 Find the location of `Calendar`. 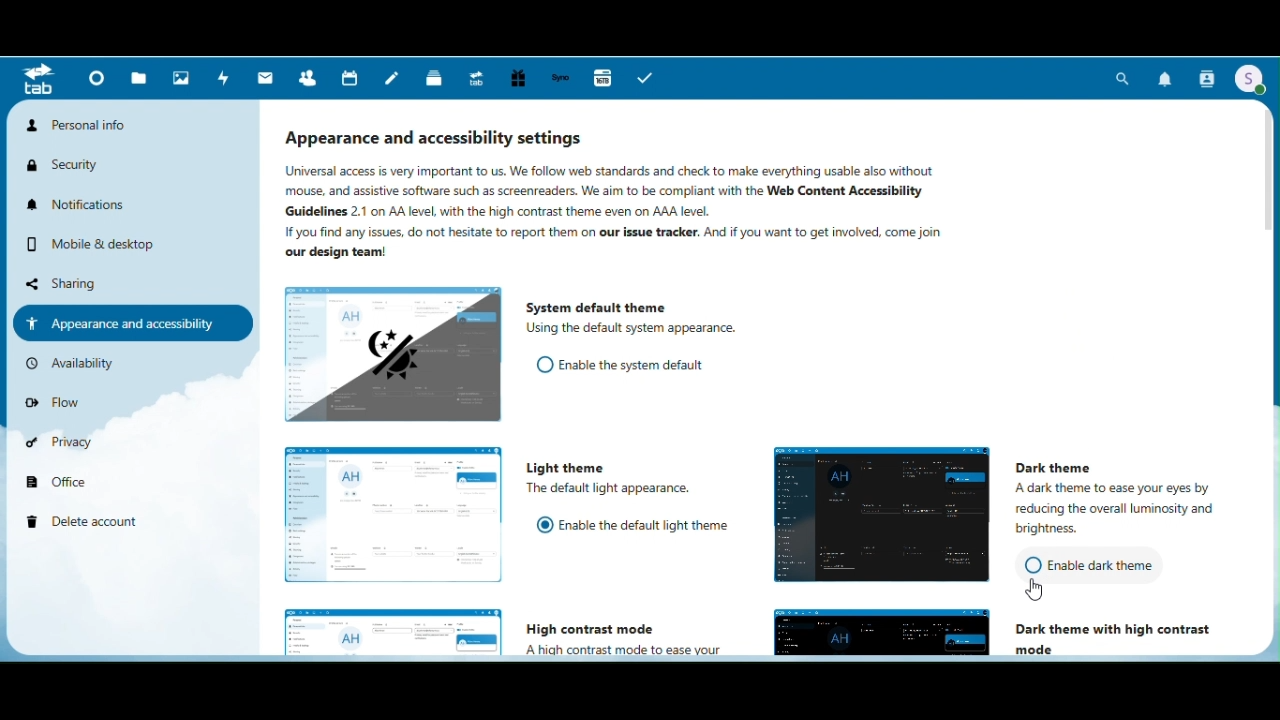

Calendar is located at coordinates (349, 78).